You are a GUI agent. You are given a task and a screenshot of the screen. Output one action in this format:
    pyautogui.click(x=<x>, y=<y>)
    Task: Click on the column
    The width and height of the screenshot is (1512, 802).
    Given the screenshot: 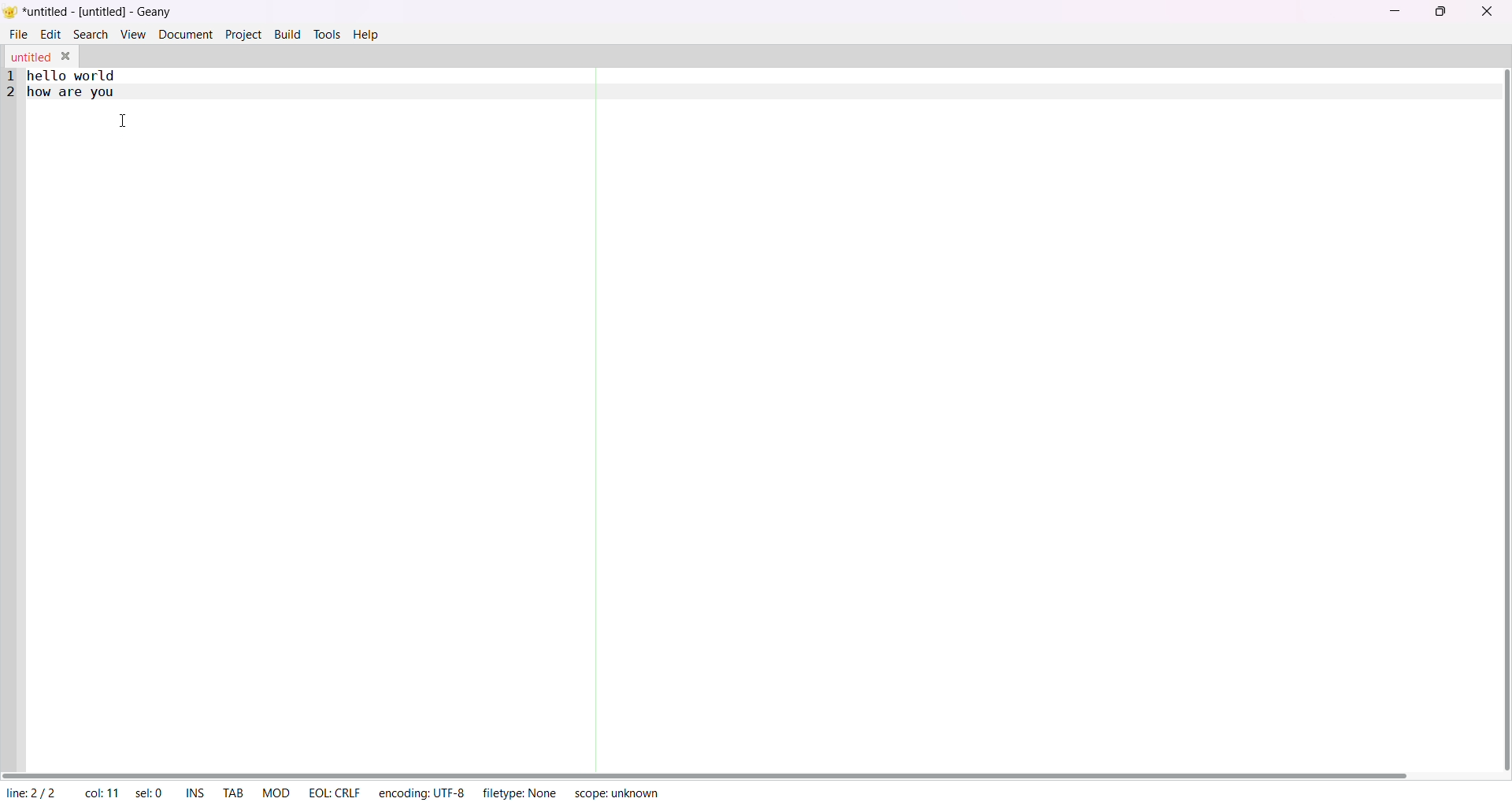 What is the action you would take?
    pyautogui.click(x=101, y=793)
    